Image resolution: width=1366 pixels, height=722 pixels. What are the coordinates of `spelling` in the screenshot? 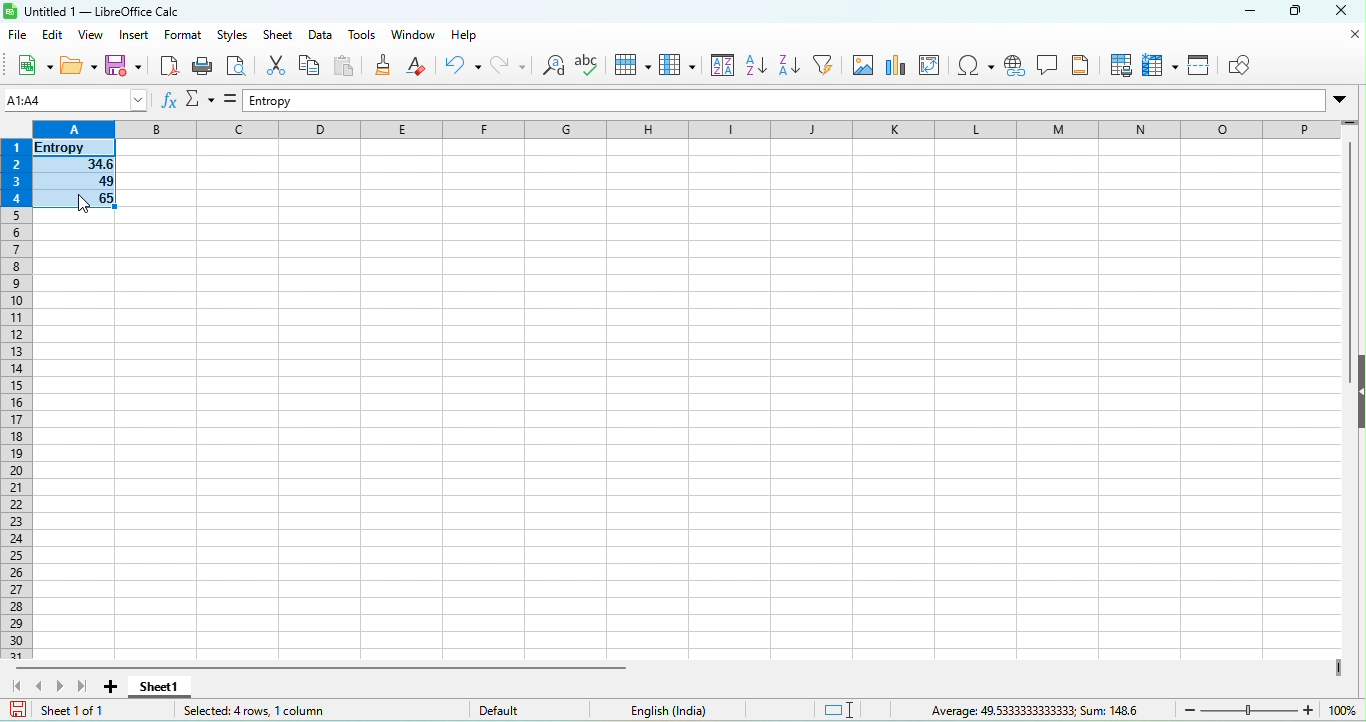 It's located at (589, 67).